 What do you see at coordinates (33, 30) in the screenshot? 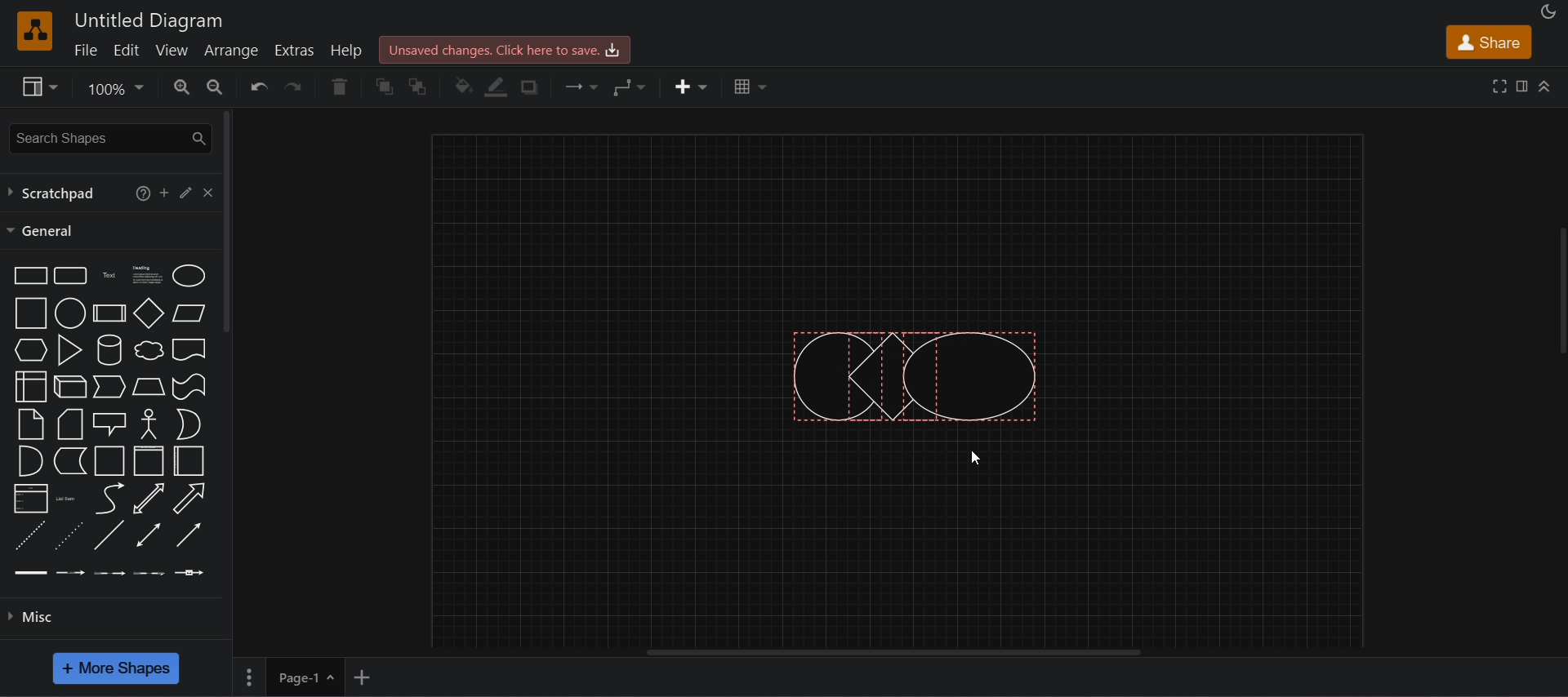
I see `logo` at bounding box center [33, 30].